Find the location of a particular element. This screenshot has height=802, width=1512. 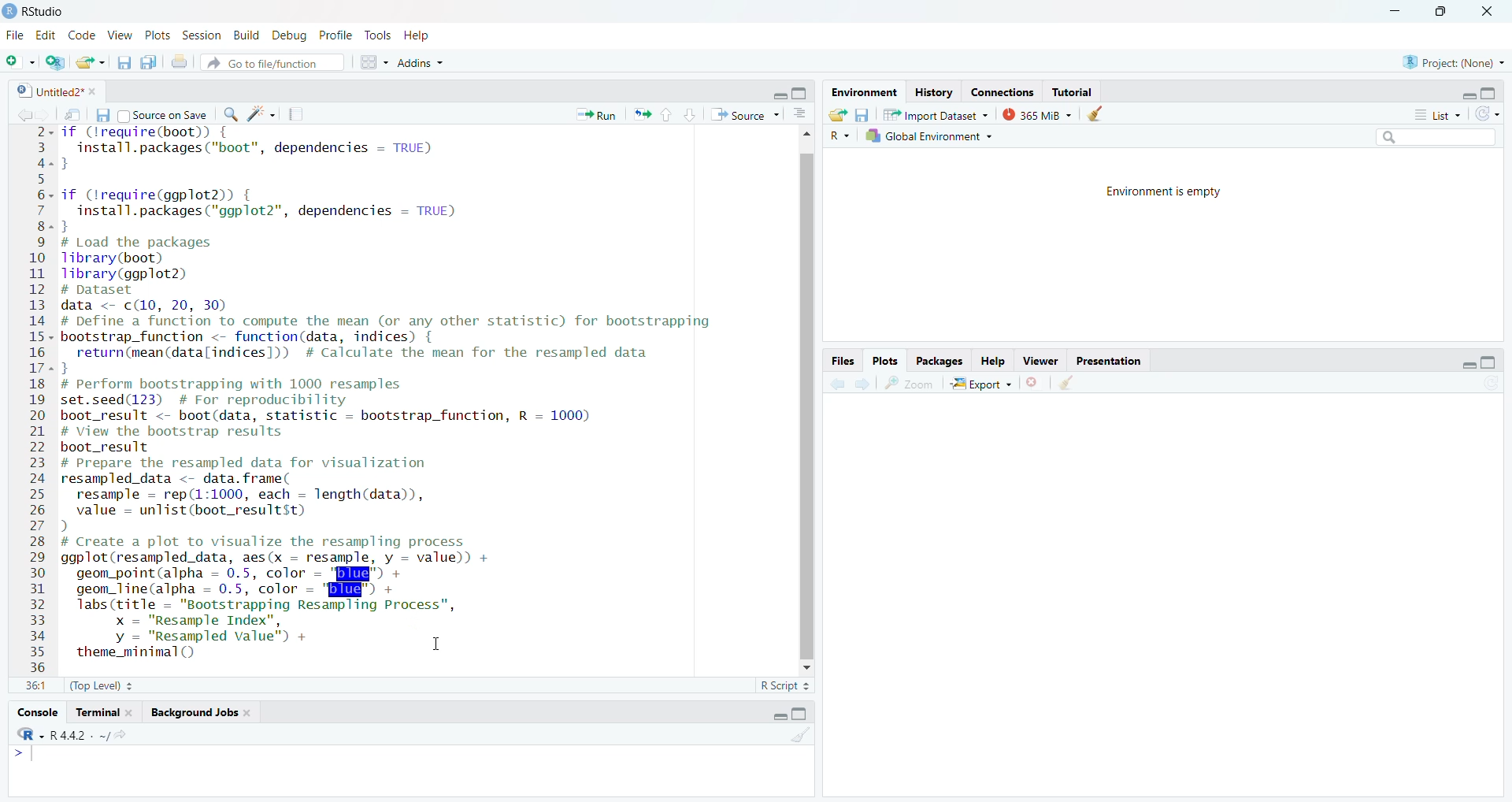

show document outline is located at coordinates (805, 114).